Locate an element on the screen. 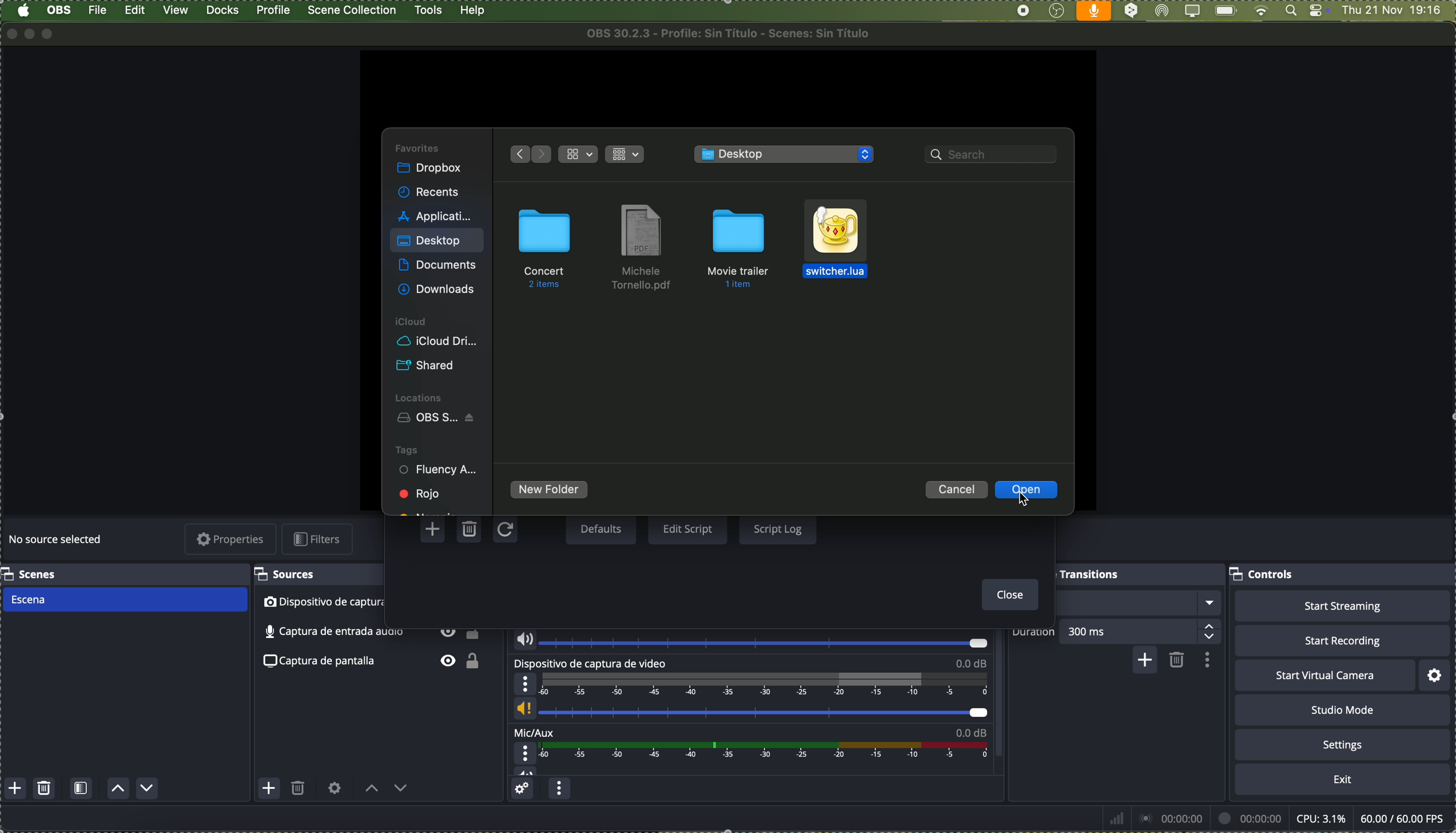 The width and height of the screenshot is (1456, 833). fluency tag is located at coordinates (439, 471).